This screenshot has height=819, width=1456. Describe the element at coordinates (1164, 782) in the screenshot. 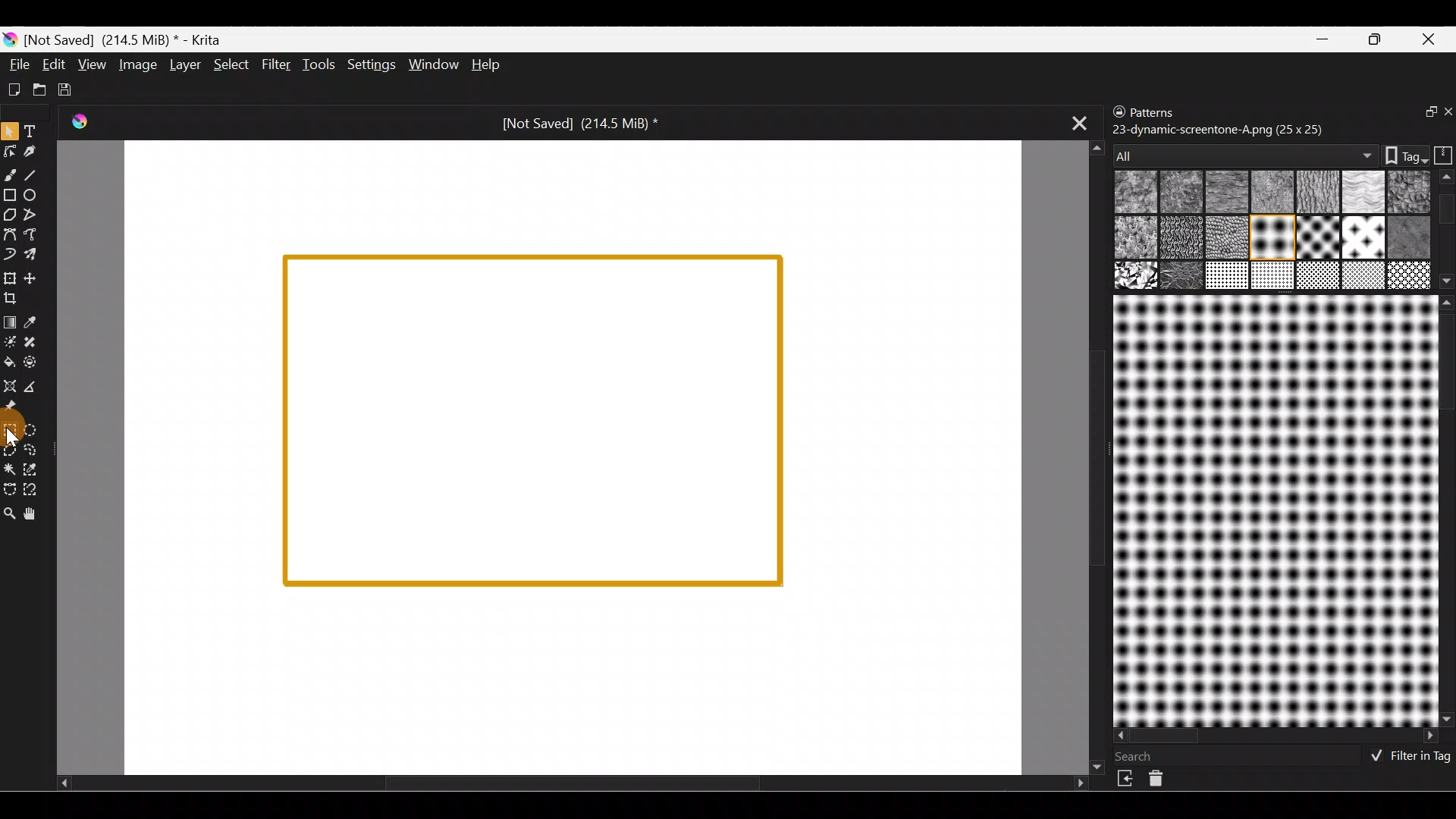

I see `Delete resource` at that location.